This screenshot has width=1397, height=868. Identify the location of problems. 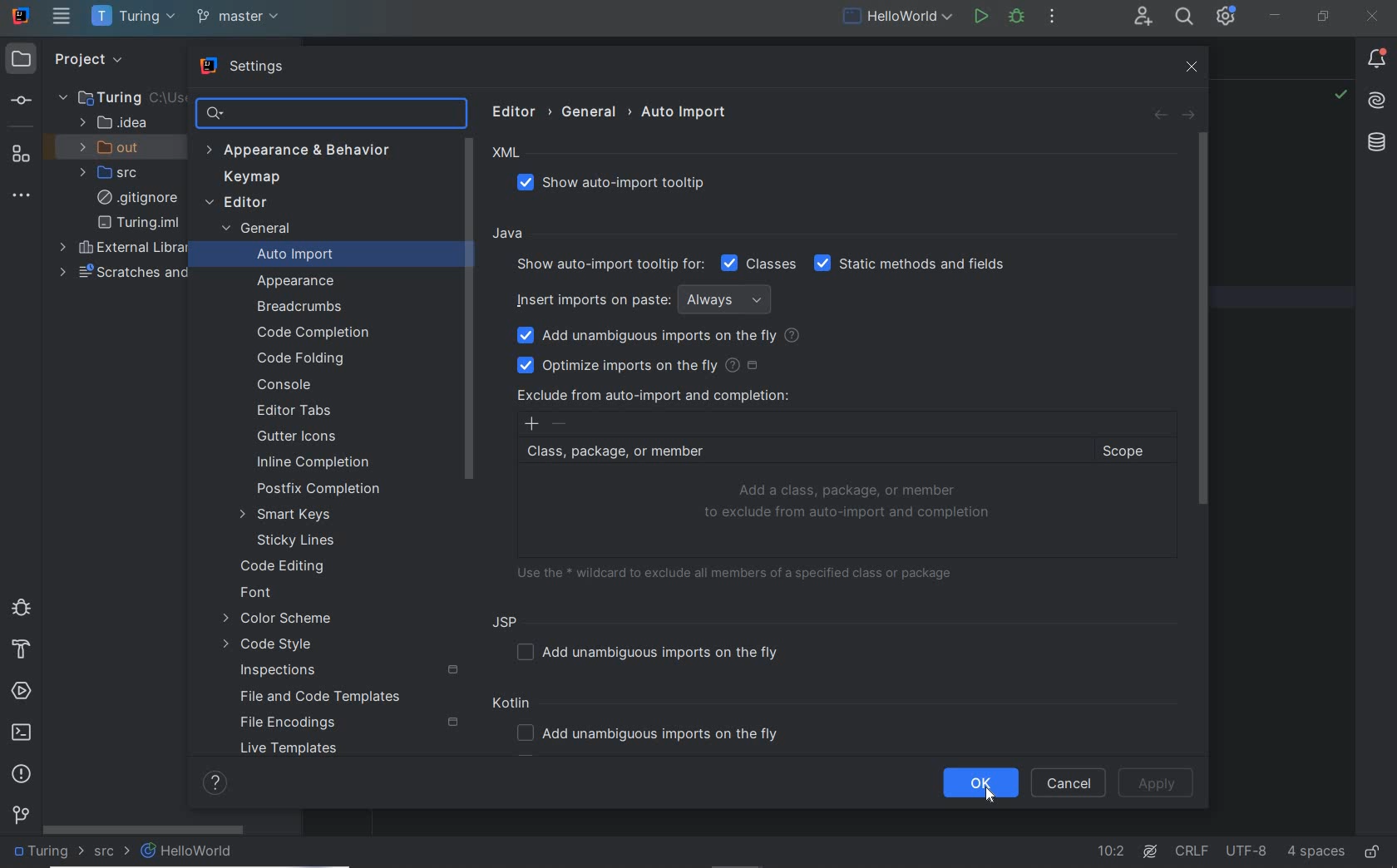
(22, 773).